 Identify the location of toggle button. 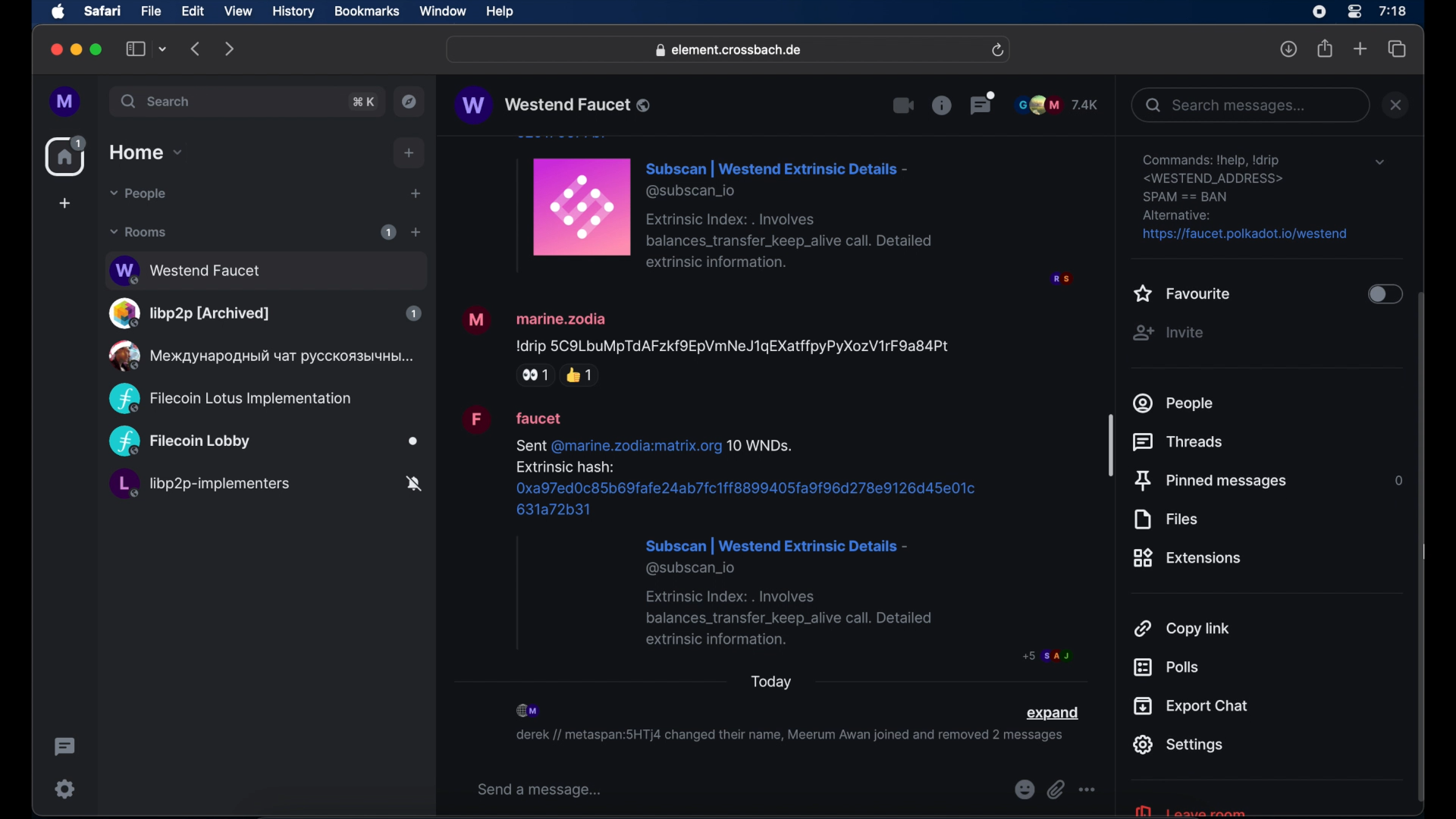
(1383, 296).